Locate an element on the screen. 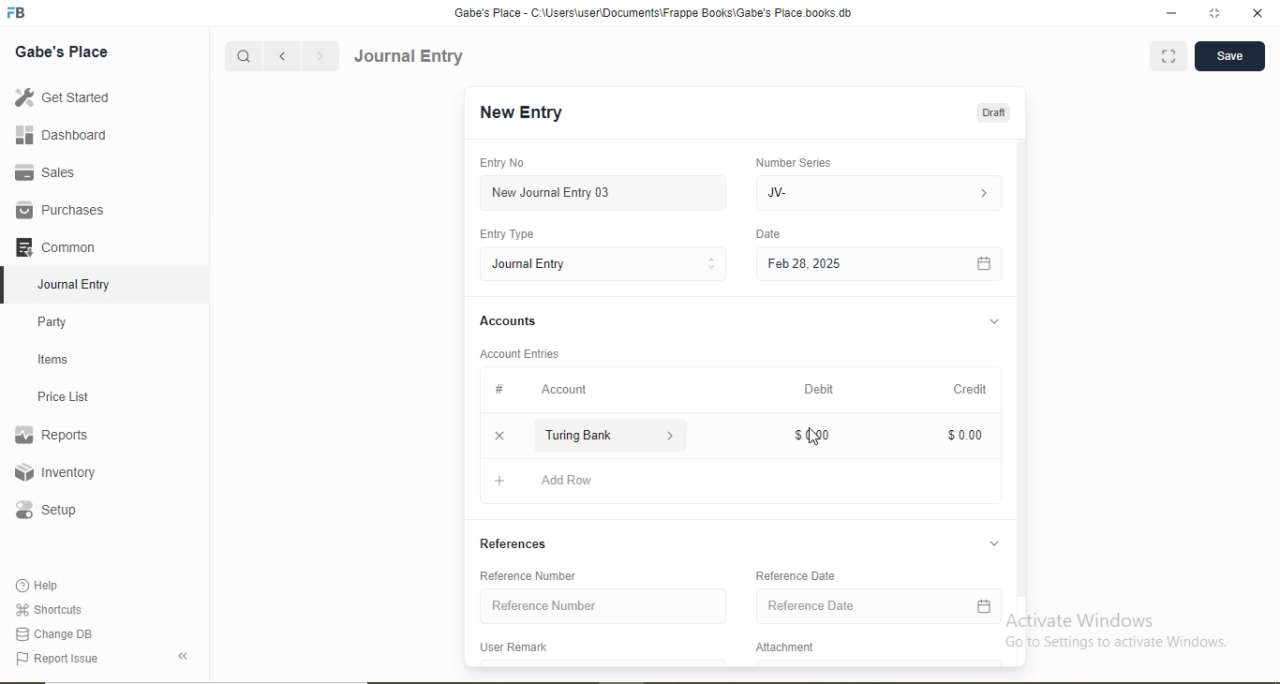 The width and height of the screenshot is (1280, 684). New Journal Entry 03 is located at coordinates (552, 193).